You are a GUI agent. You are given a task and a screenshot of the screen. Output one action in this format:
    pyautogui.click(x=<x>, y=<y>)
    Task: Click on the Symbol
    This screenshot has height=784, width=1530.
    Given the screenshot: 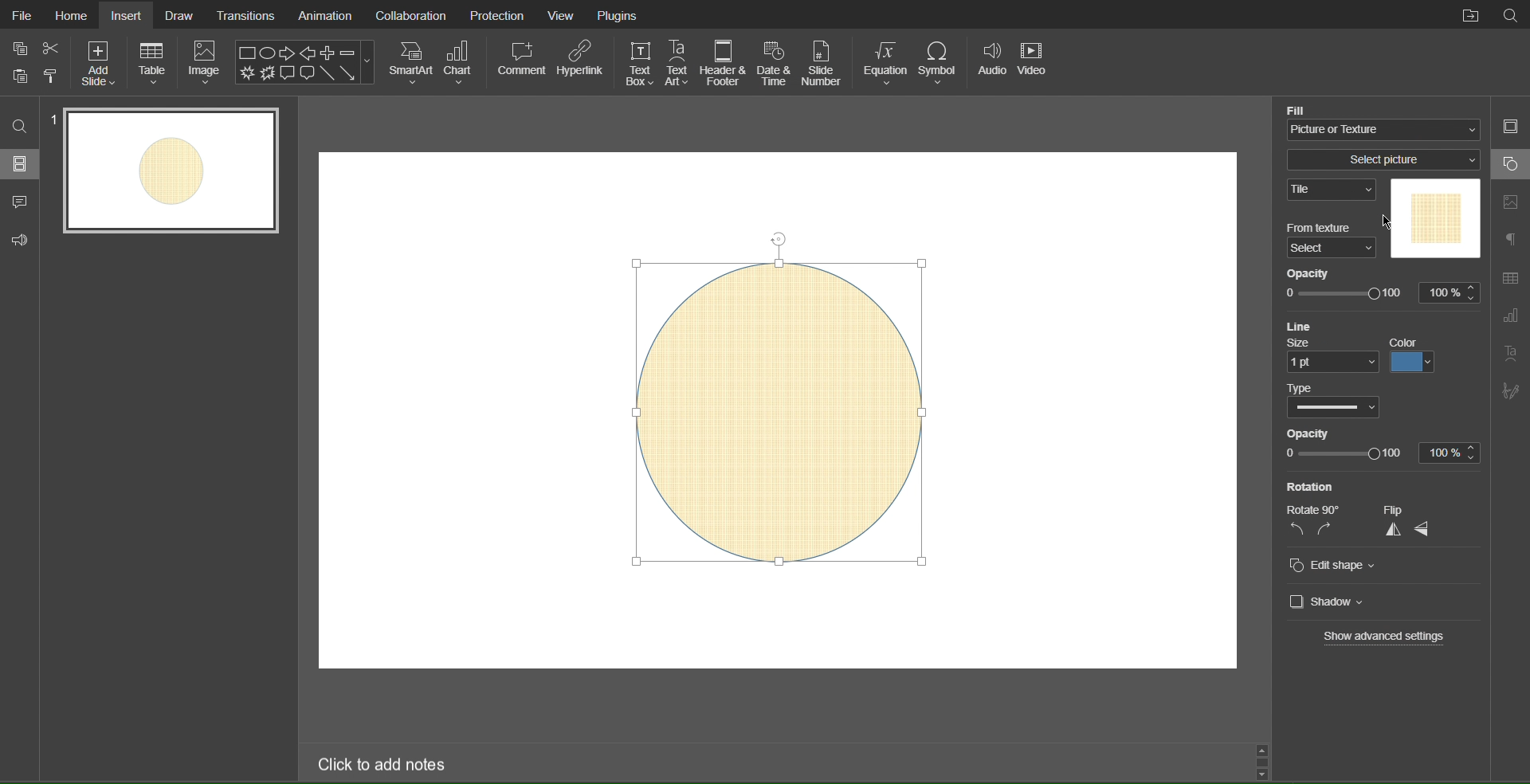 What is the action you would take?
    pyautogui.click(x=942, y=64)
    